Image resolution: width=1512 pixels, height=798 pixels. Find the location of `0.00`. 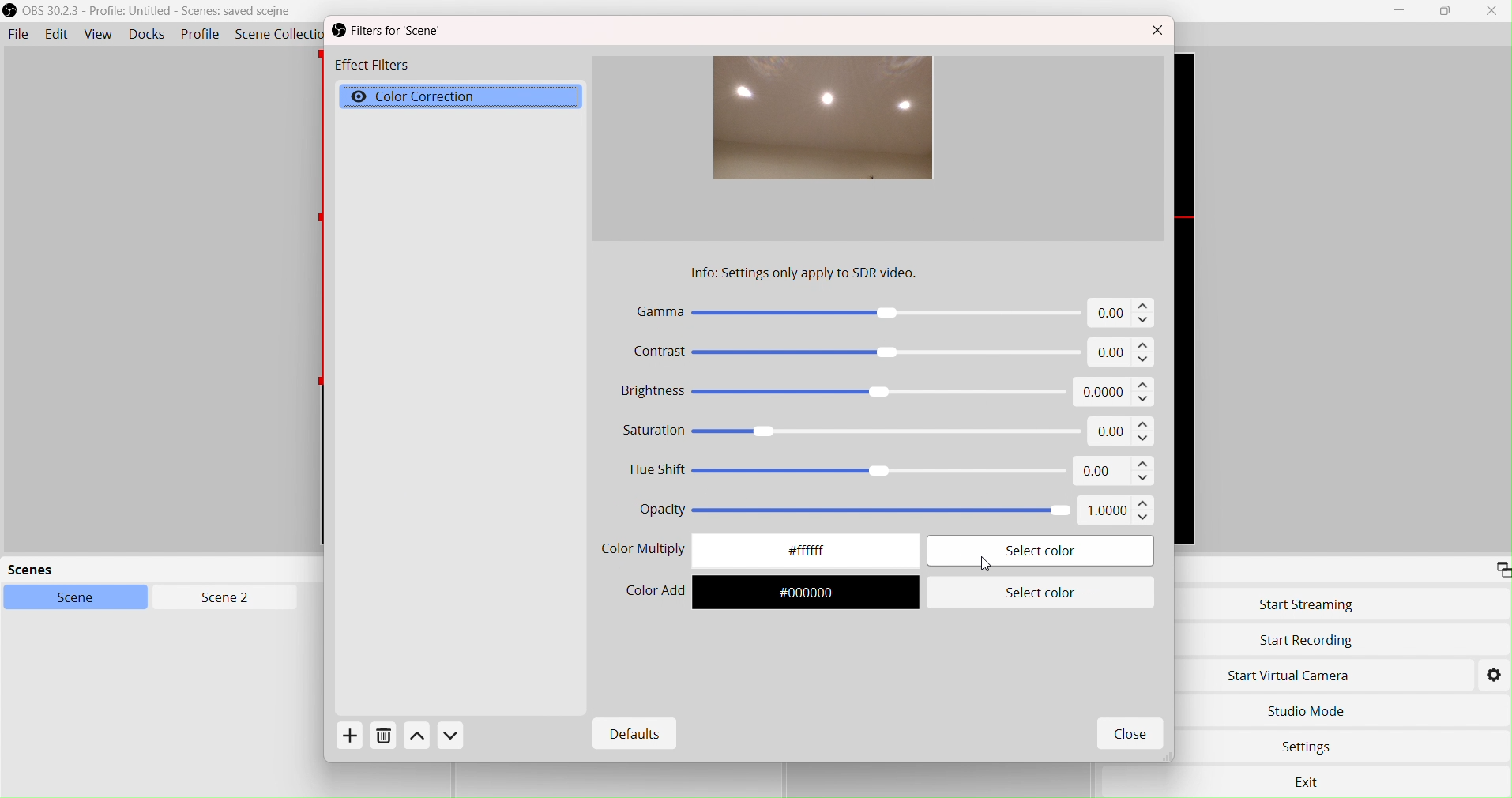

0.00 is located at coordinates (1118, 470).